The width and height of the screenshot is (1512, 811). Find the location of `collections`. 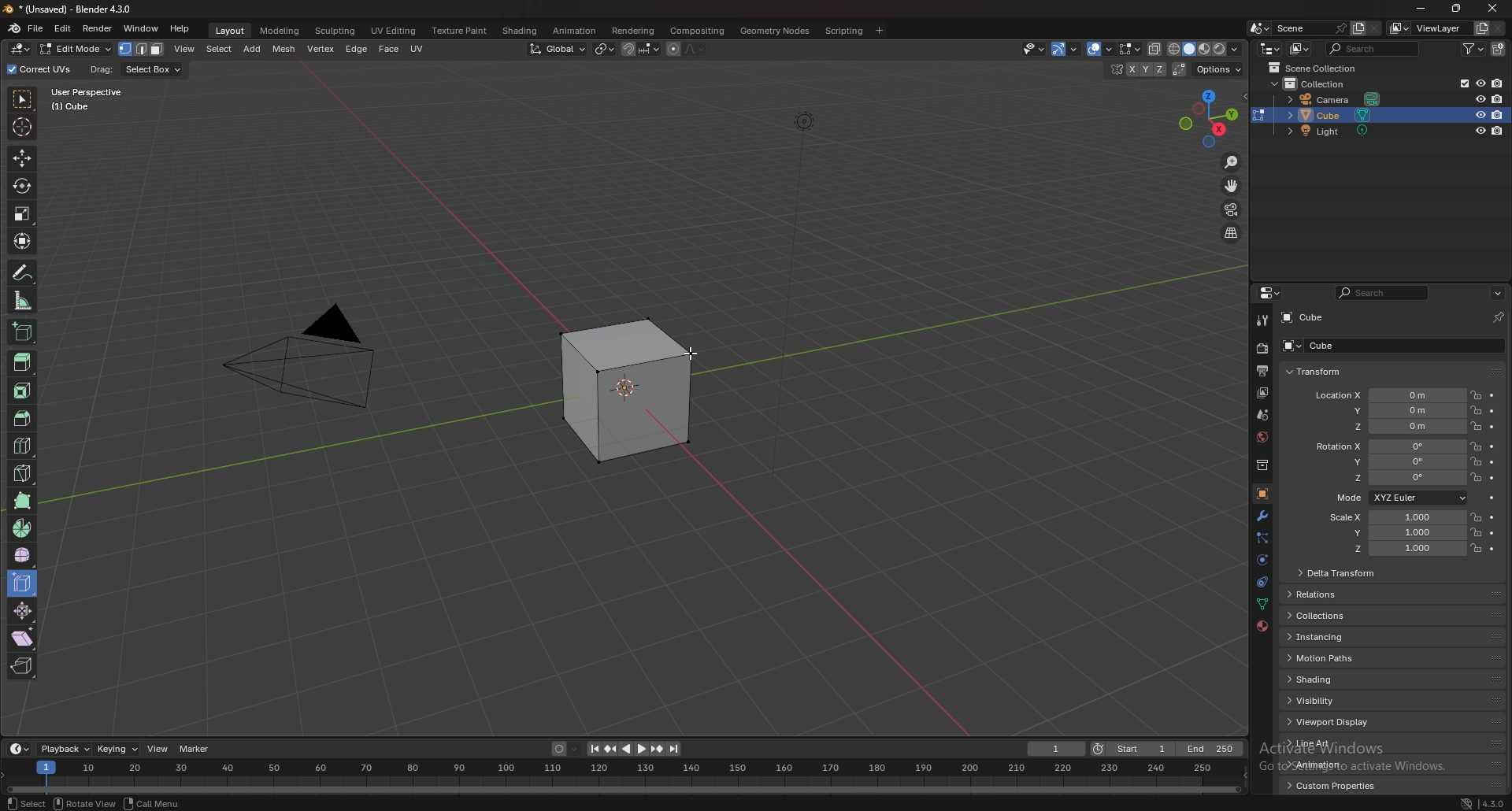

collections is located at coordinates (1325, 617).